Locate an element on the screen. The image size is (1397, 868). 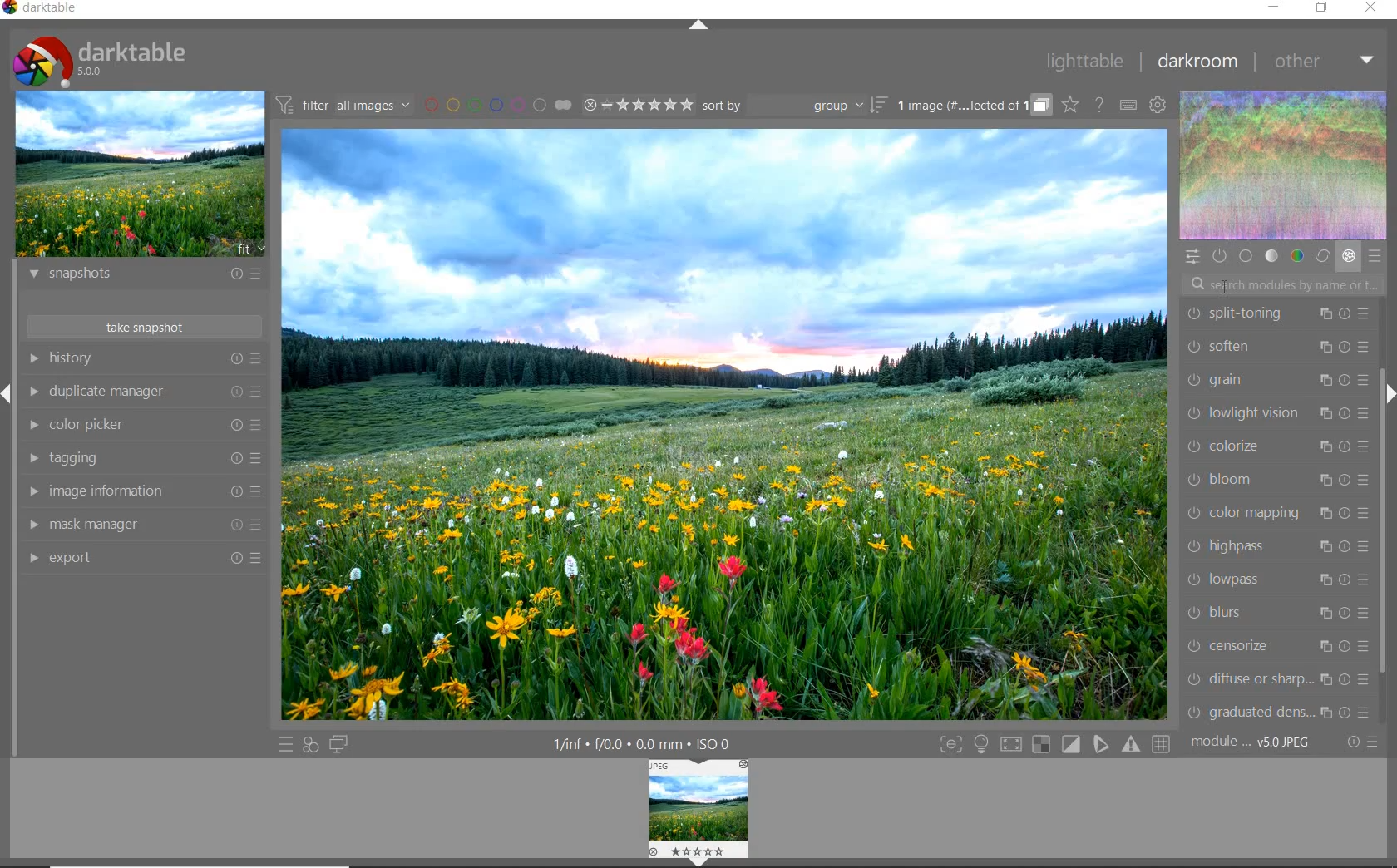
image information is located at coordinates (141, 492).